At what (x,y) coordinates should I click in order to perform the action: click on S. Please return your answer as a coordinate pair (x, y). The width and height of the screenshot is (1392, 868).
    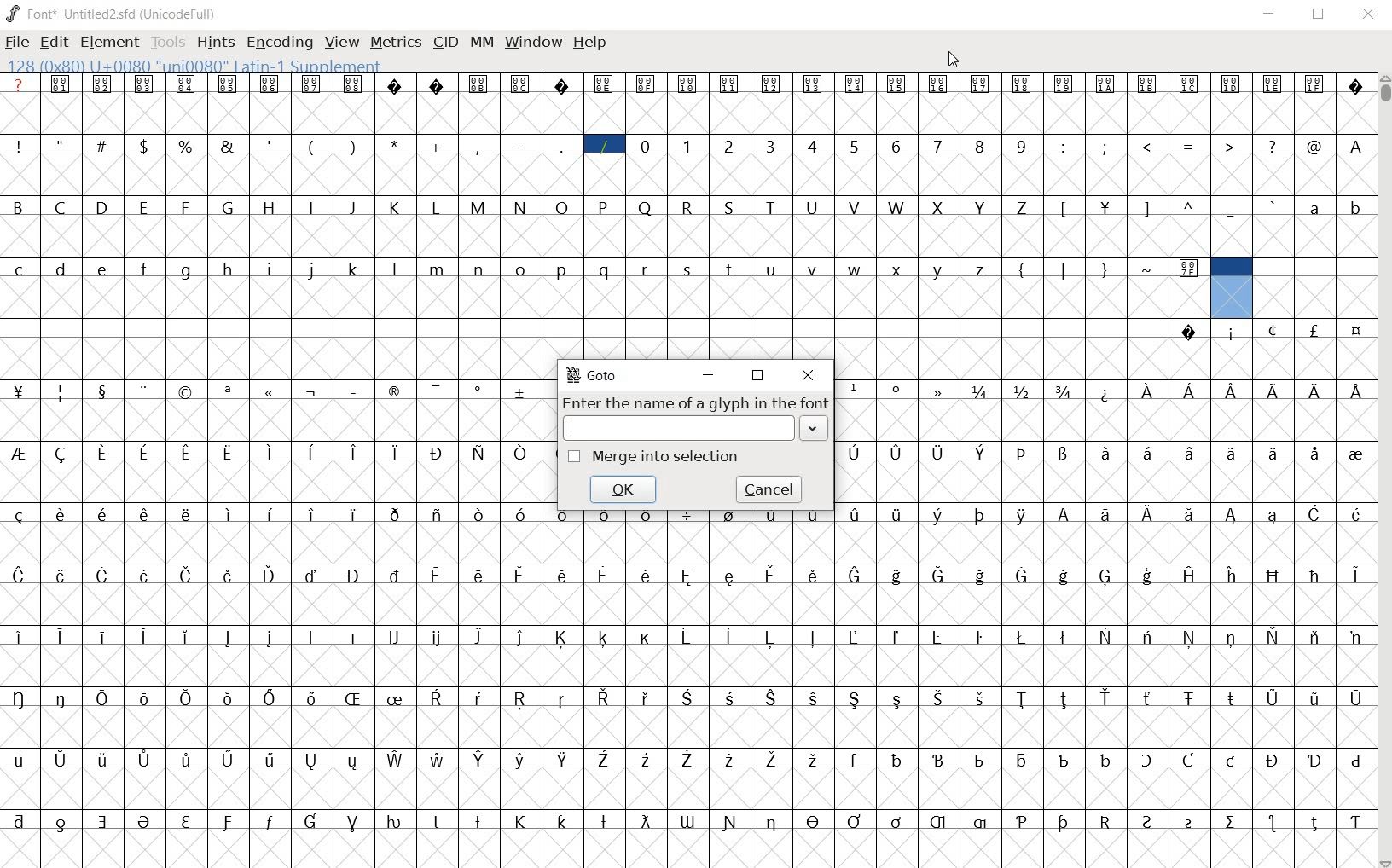
    Looking at the image, I should click on (730, 208).